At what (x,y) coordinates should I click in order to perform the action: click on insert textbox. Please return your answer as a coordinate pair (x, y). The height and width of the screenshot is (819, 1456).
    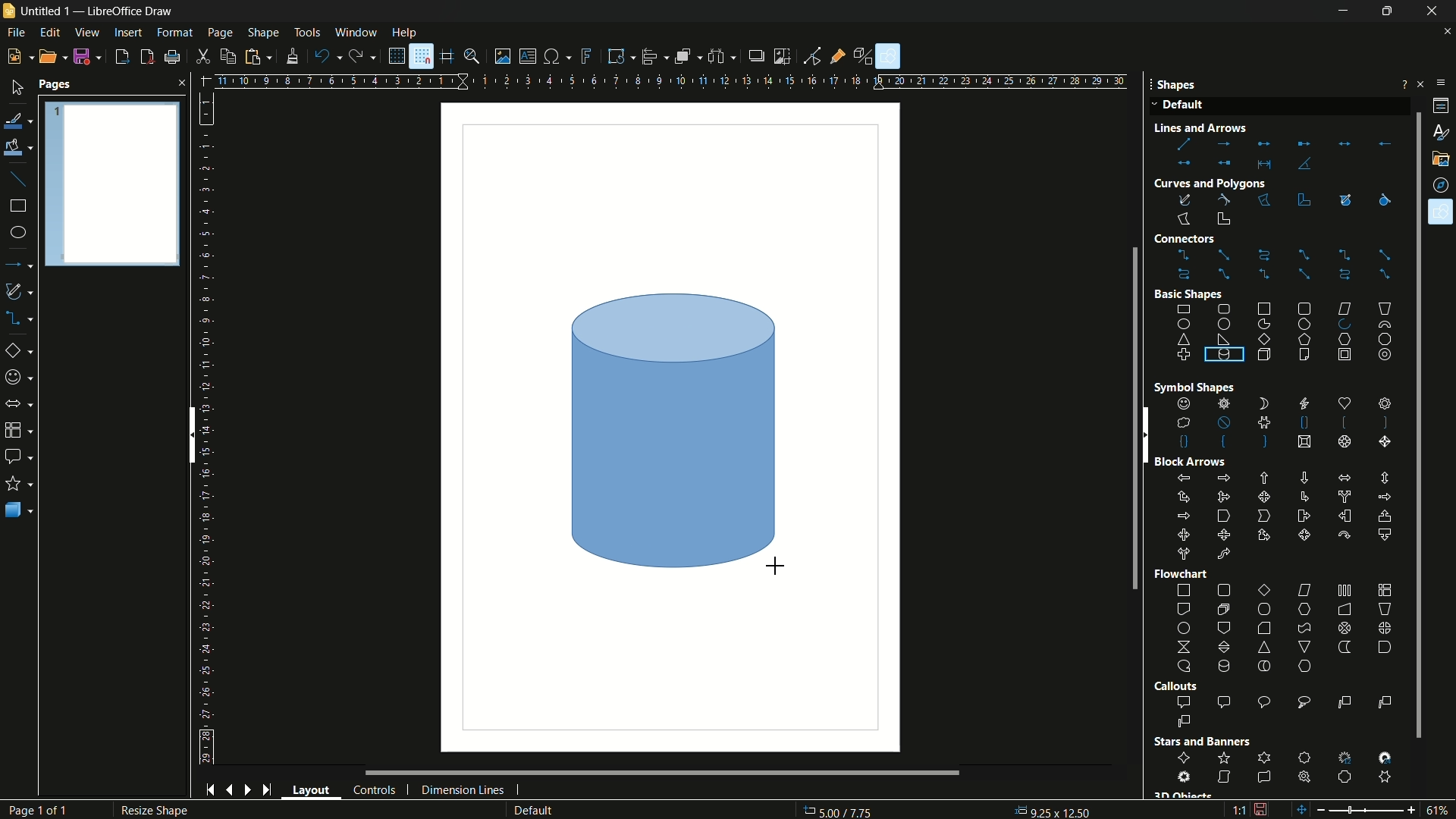
    Looking at the image, I should click on (526, 56).